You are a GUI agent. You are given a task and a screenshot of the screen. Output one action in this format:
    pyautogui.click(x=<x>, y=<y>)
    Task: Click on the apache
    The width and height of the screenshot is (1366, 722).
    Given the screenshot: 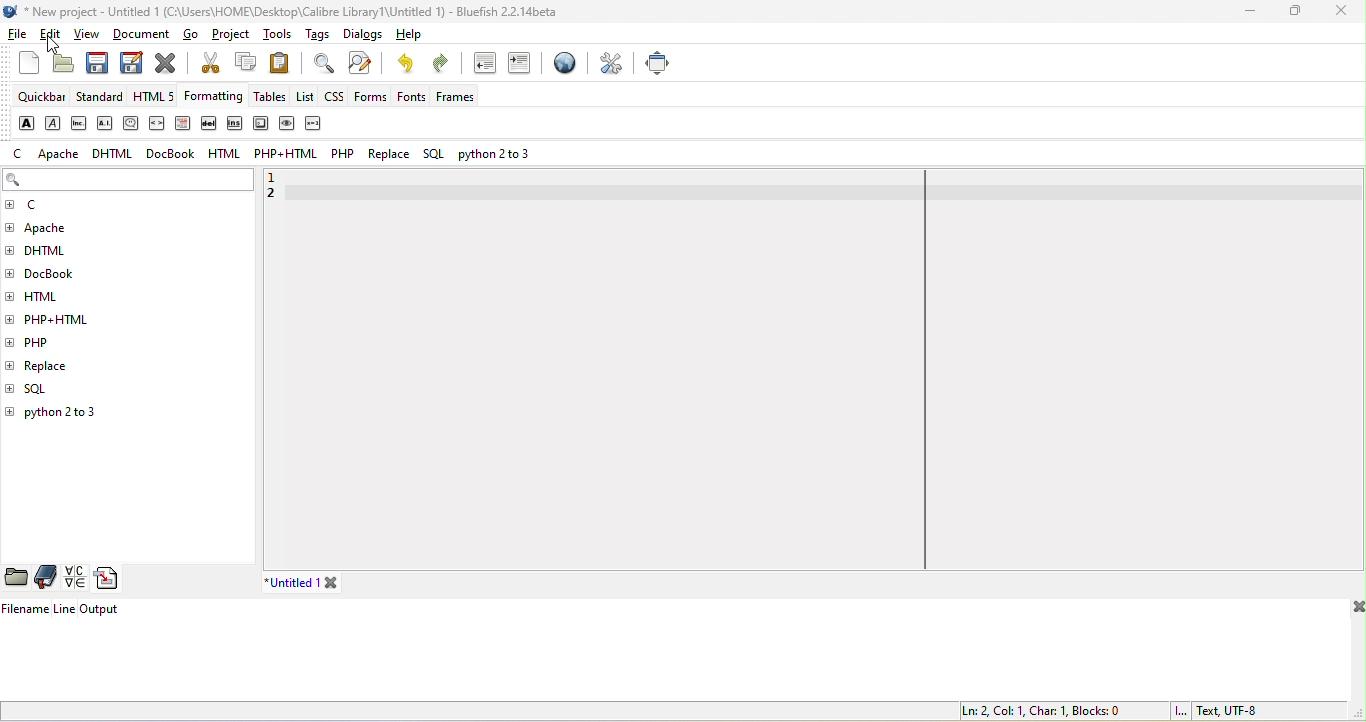 What is the action you would take?
    pyautogui.click(x=57, y=154)
    